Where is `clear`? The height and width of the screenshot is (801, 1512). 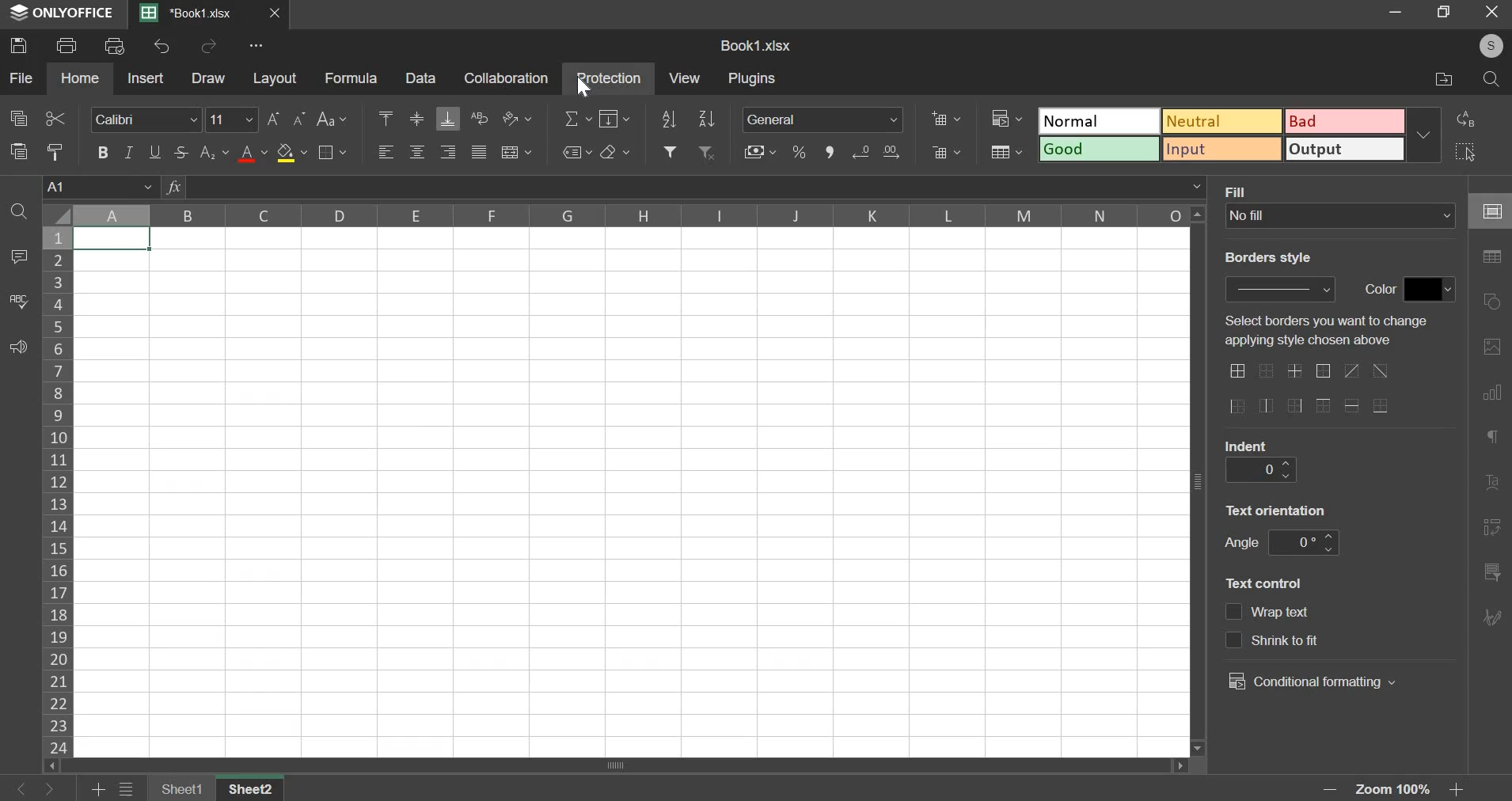 clear is located at coordinates (614, 152).